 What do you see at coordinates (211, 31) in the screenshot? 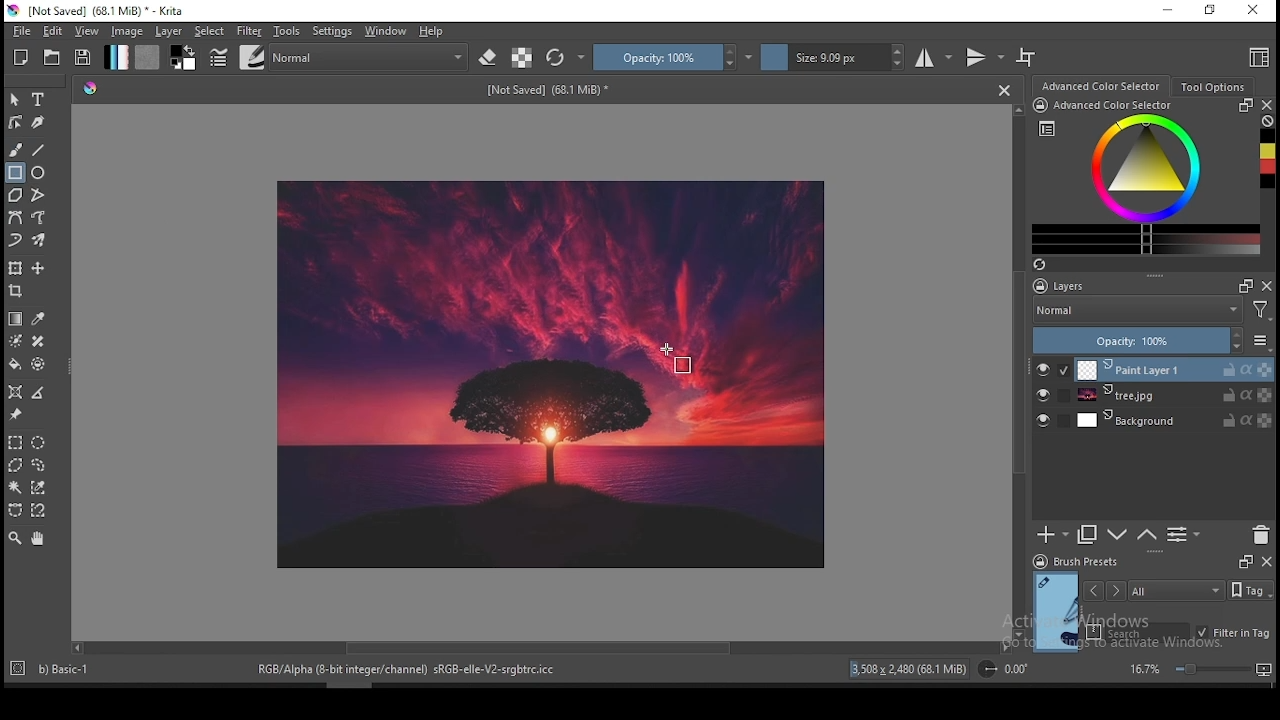
I see `select` at bounding box center [211, 31].